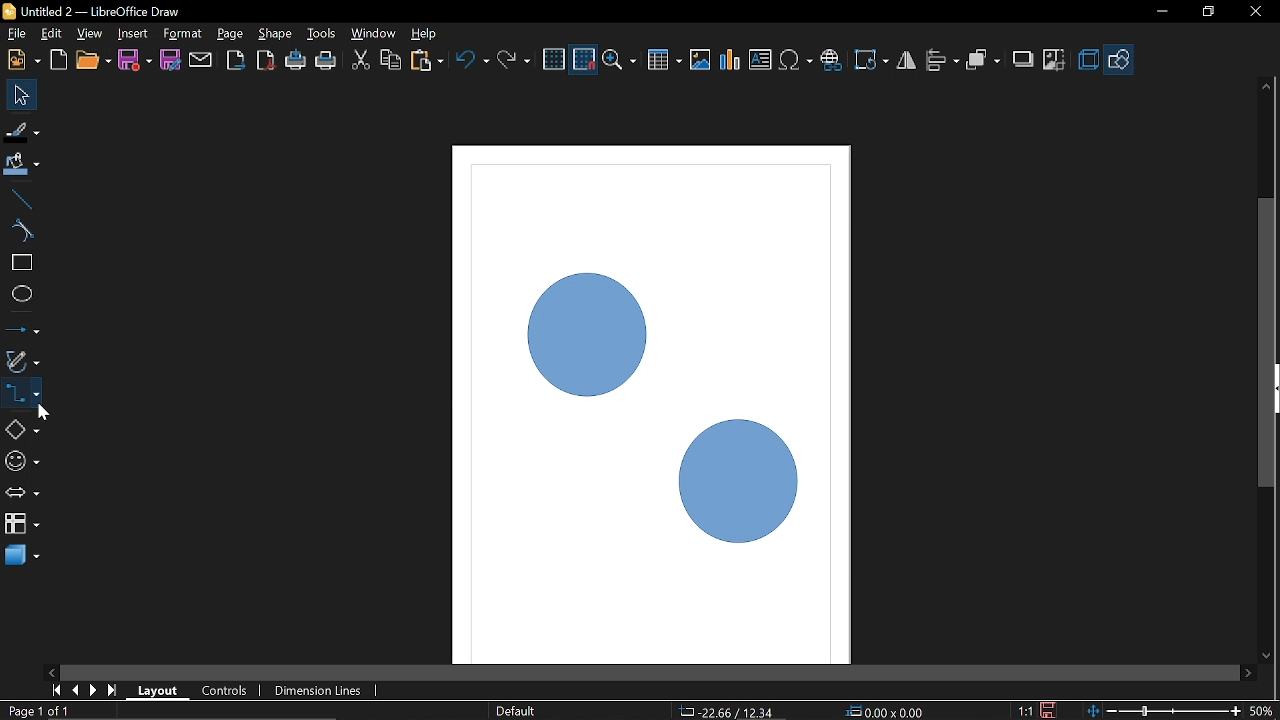 Image resolution: width=1280 pixels, height=720 pixels. I want to click on rectangle, so click(19, 262).